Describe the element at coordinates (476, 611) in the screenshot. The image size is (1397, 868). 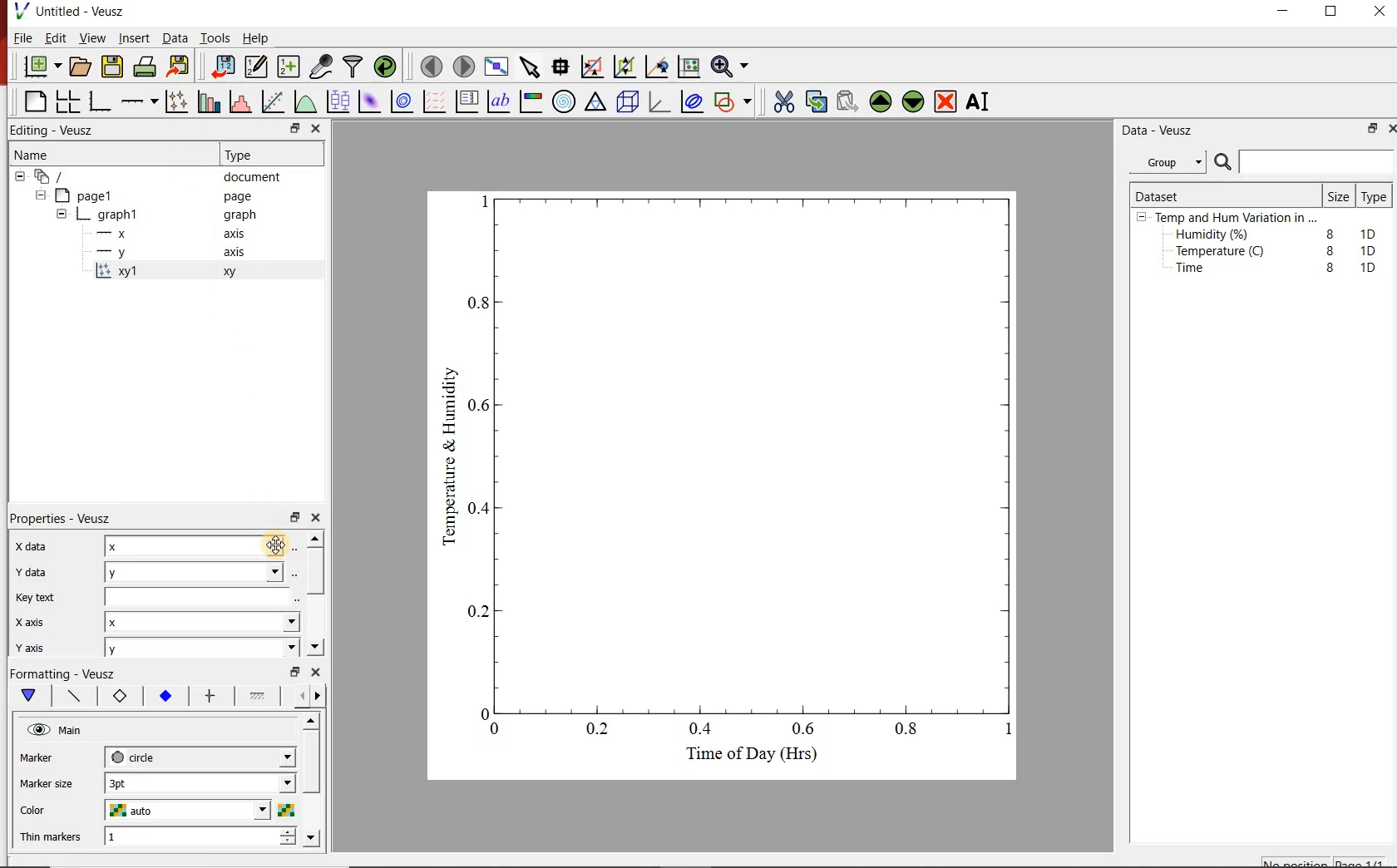
I see `0.2` at that location.